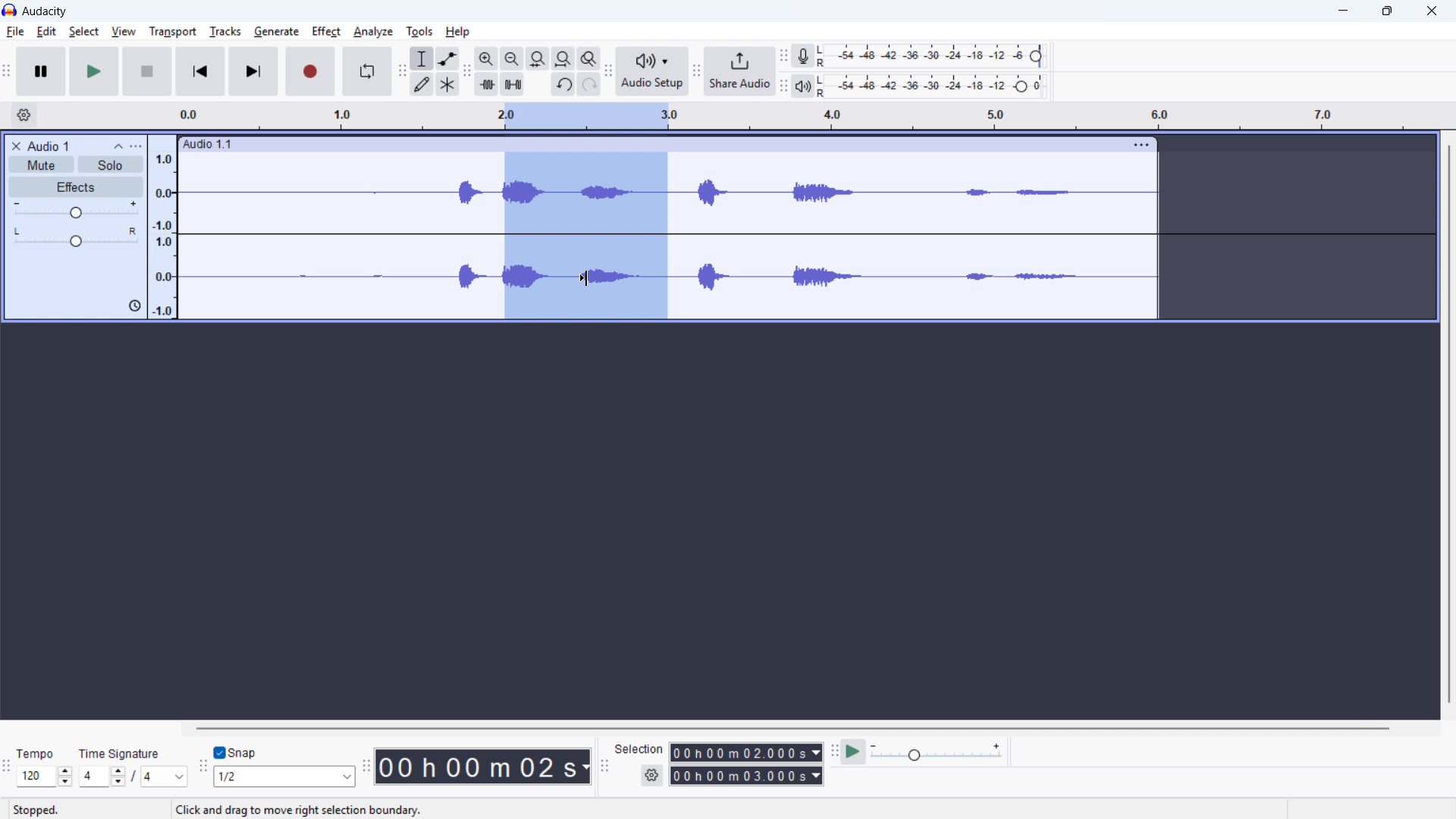 Image resolution: width=1456 pixels, height=819 pixels. I want to click on minimise, so click(1345, 12).